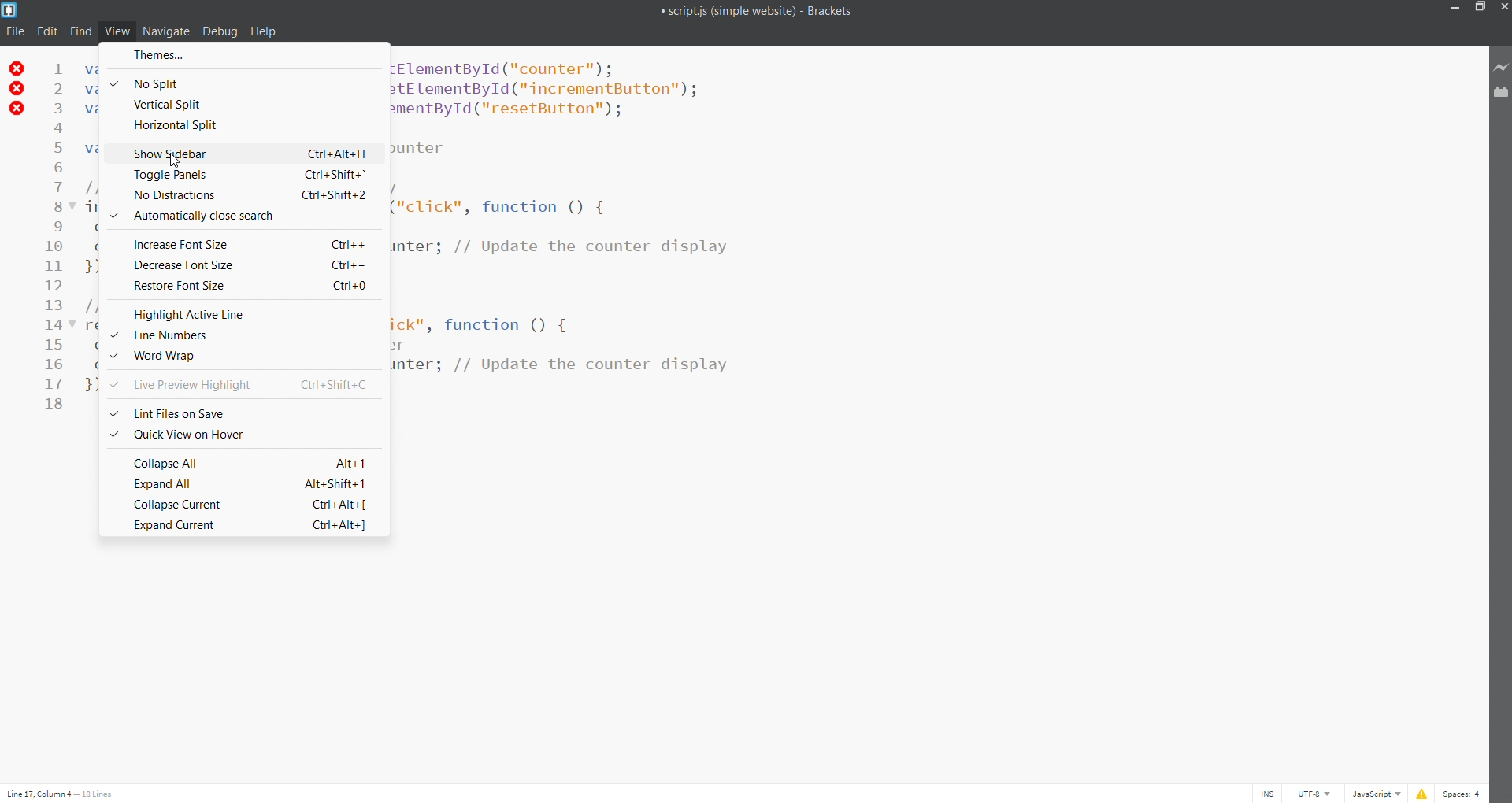 This screenshot has width=1512, height=803. I want to click on live preview, so click(1502, 68).